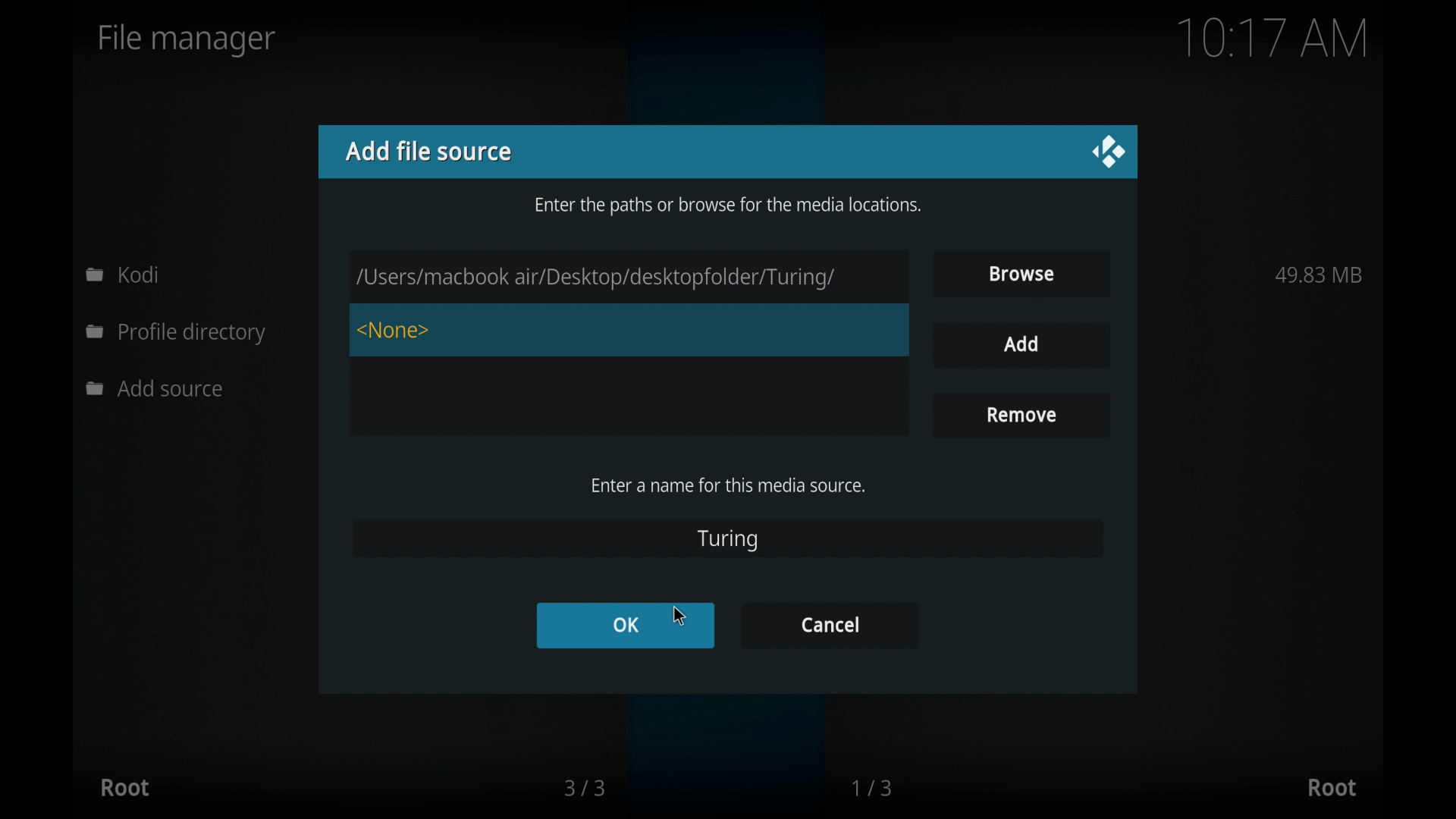 This screenshot has height=819, width=1456. What do you see at coordinates (1332, 788) in the screenshot?
I see `root` at bounding box center [1332, 788].